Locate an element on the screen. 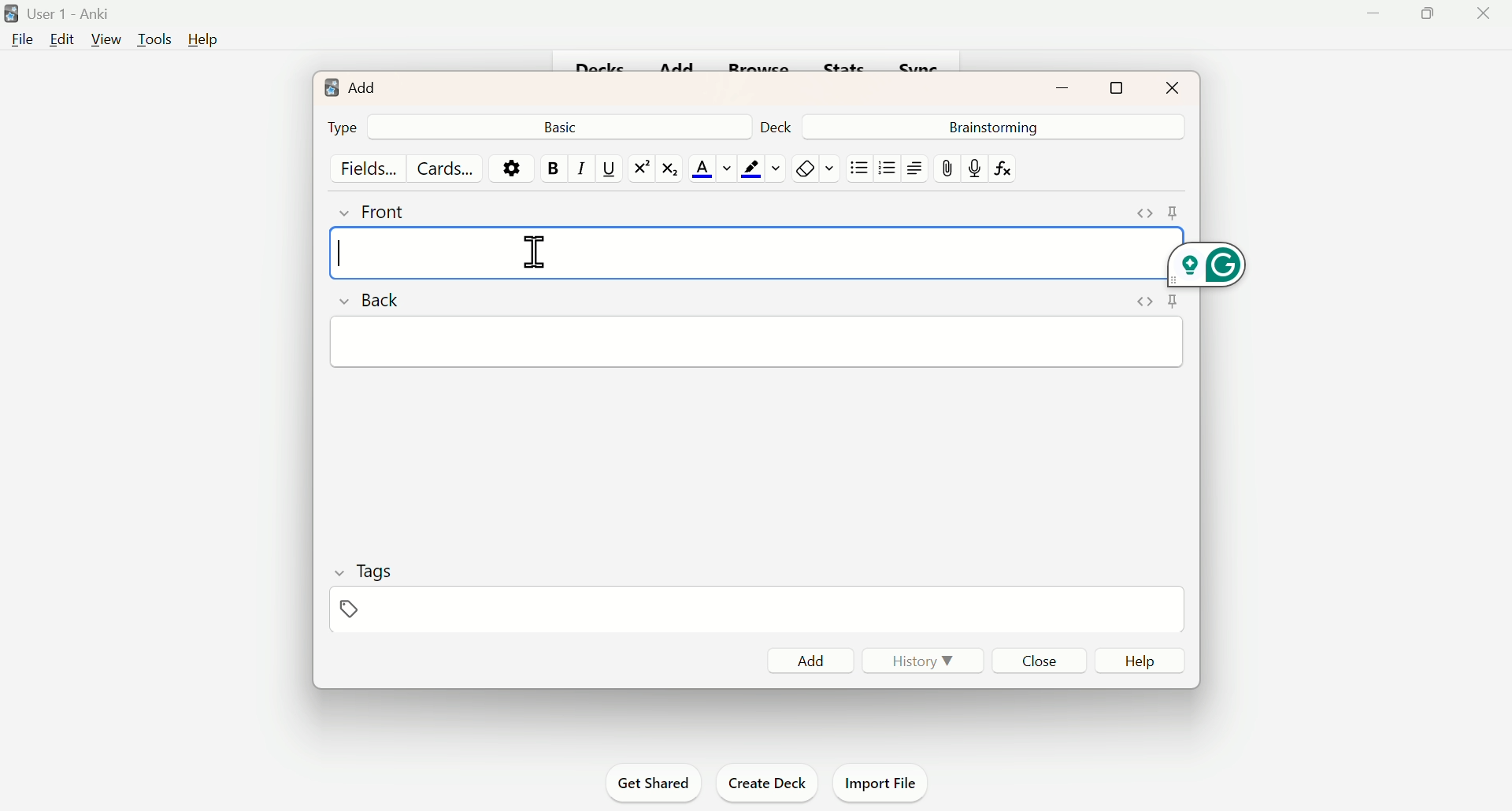 This screenshot has width=1512, height=811.  is located at coordinates (943, 167).